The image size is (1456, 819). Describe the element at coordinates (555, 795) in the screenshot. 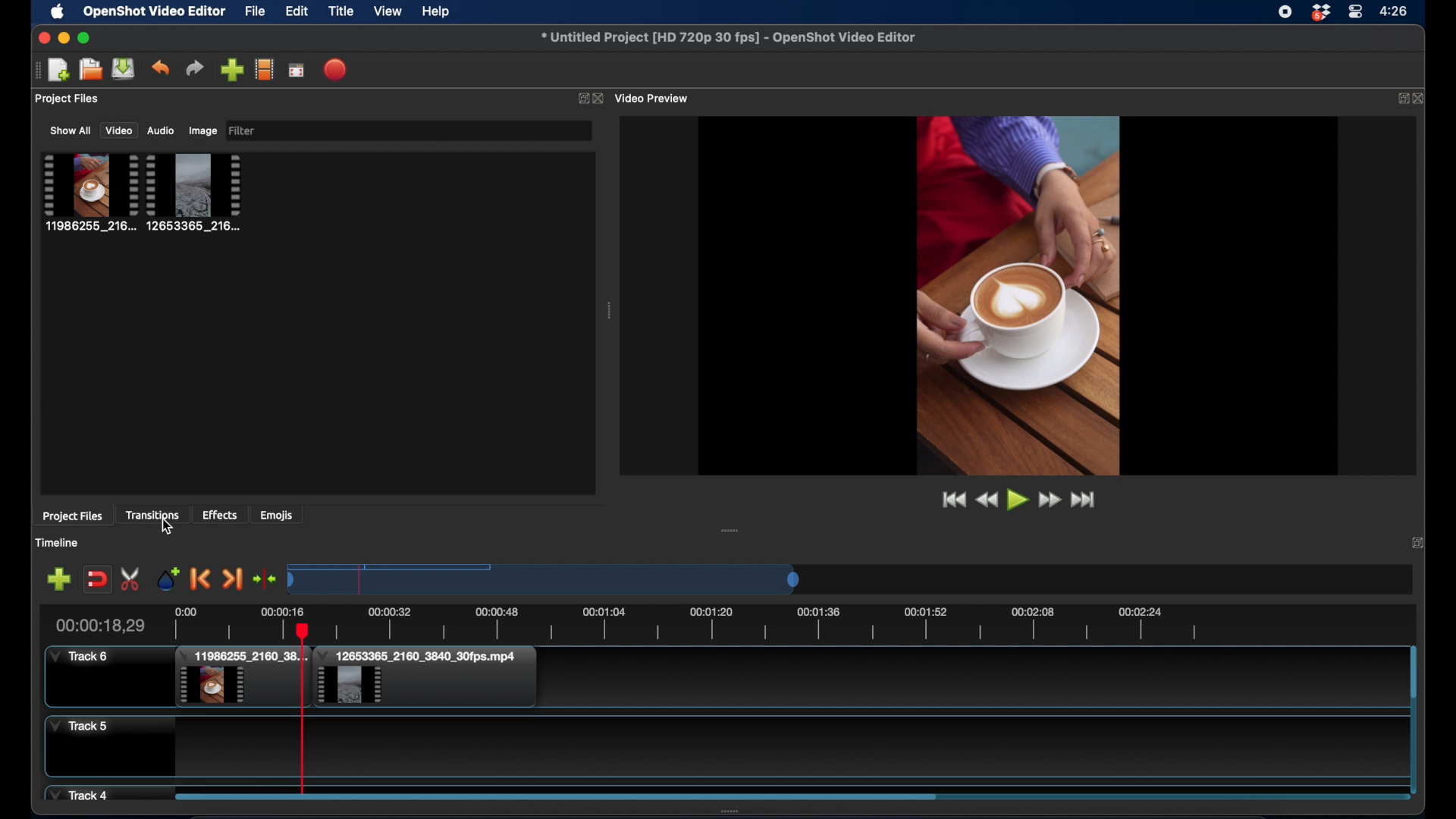

I see `scroll bar` at that location.